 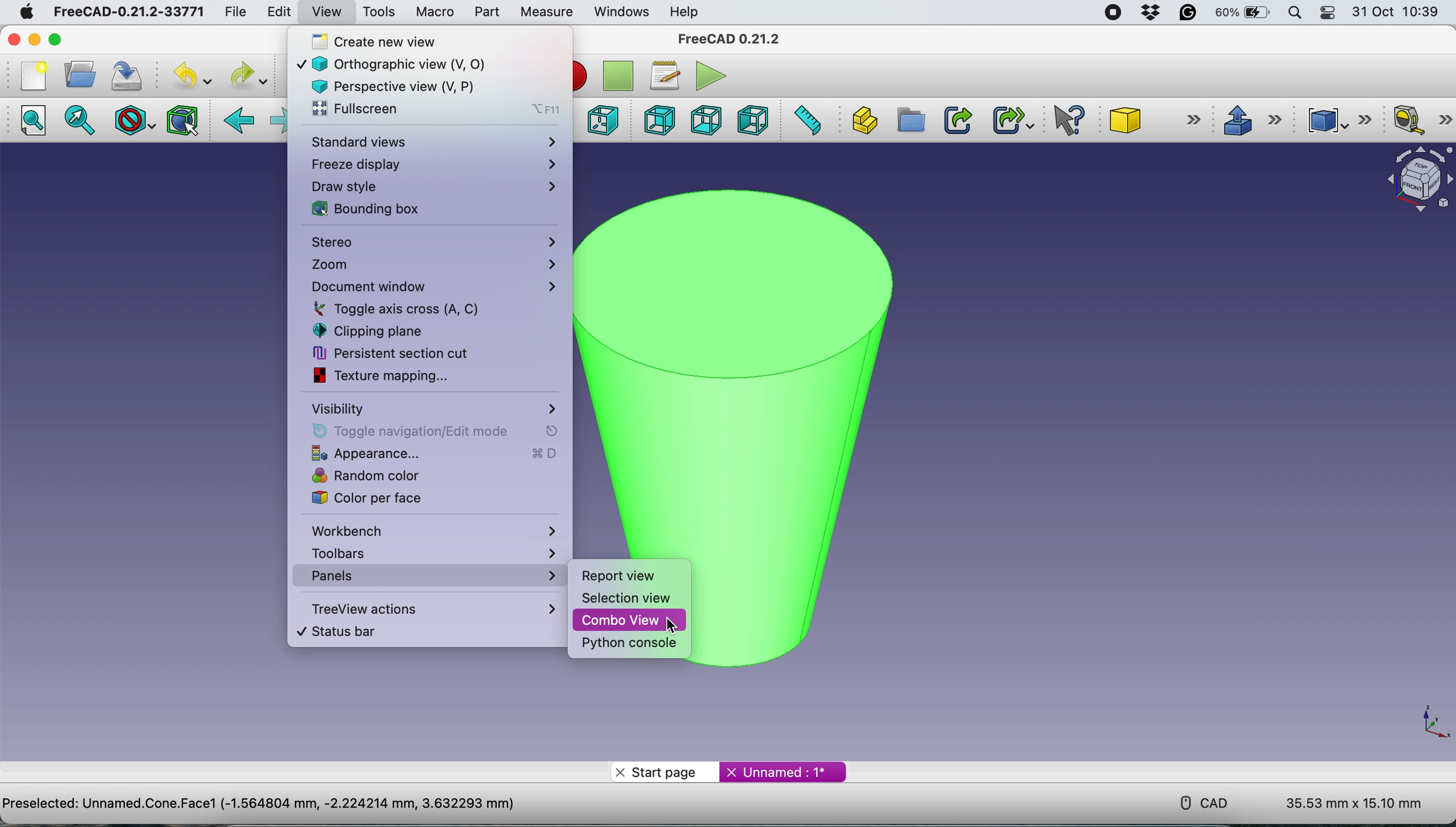 I want to click on workbench, so click(x=435, y=530).